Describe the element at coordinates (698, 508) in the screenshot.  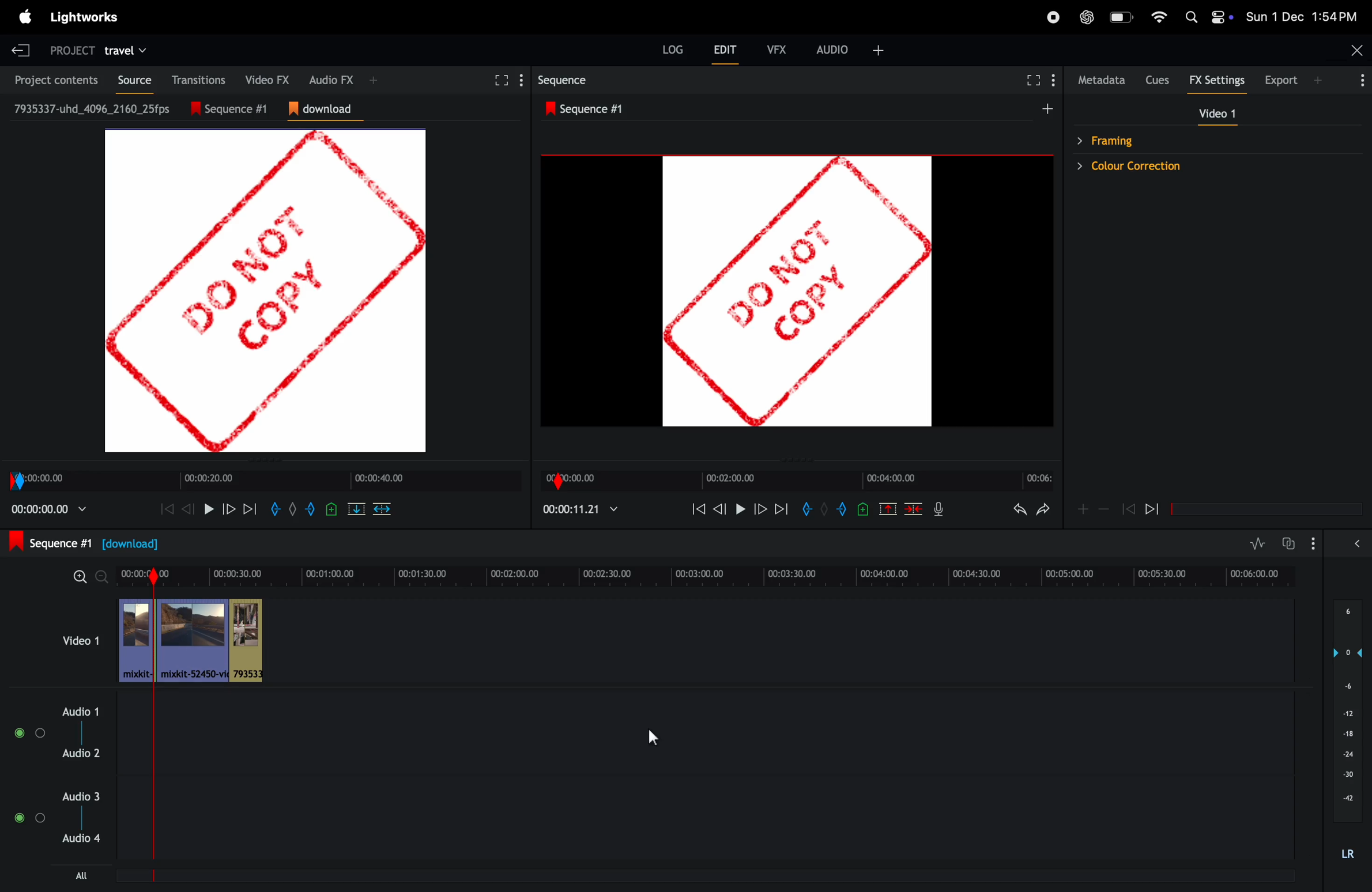
I see `rewind` at that location.